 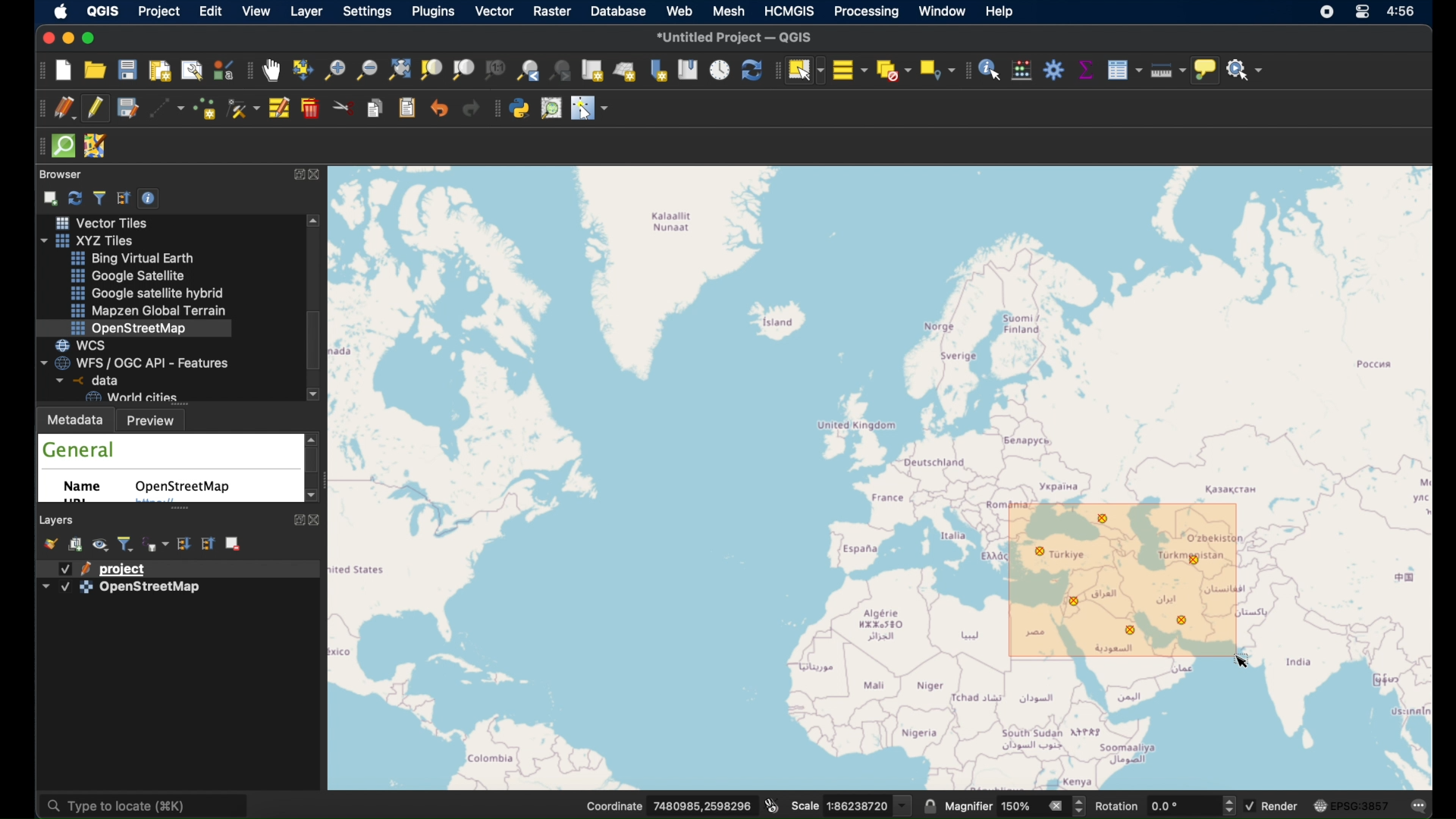 I want to click on toggle extents and mouse display position, so click(x=773, y=804).